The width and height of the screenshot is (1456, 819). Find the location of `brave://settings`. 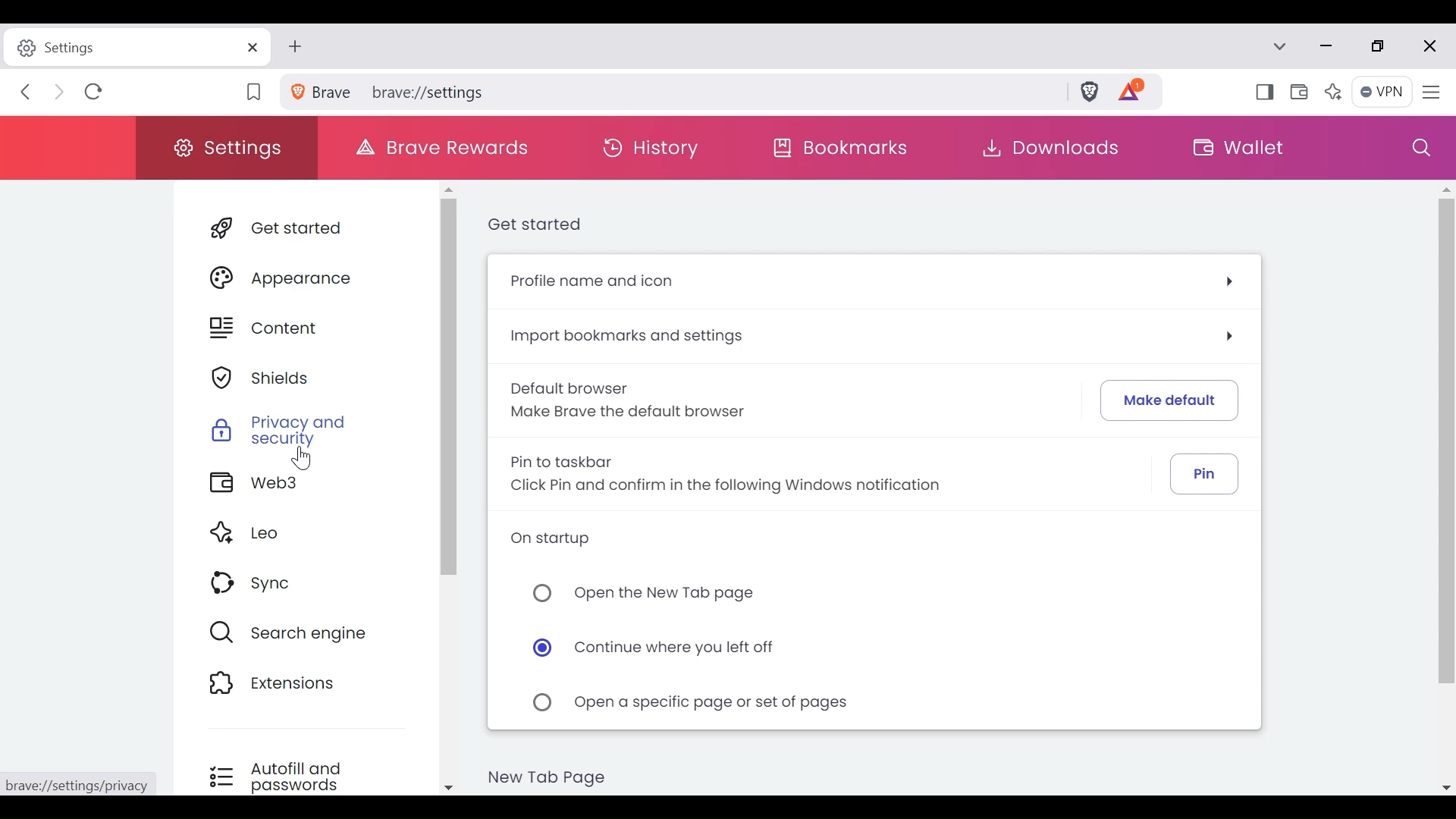

brave://settings is located at coordinates (672, 91).